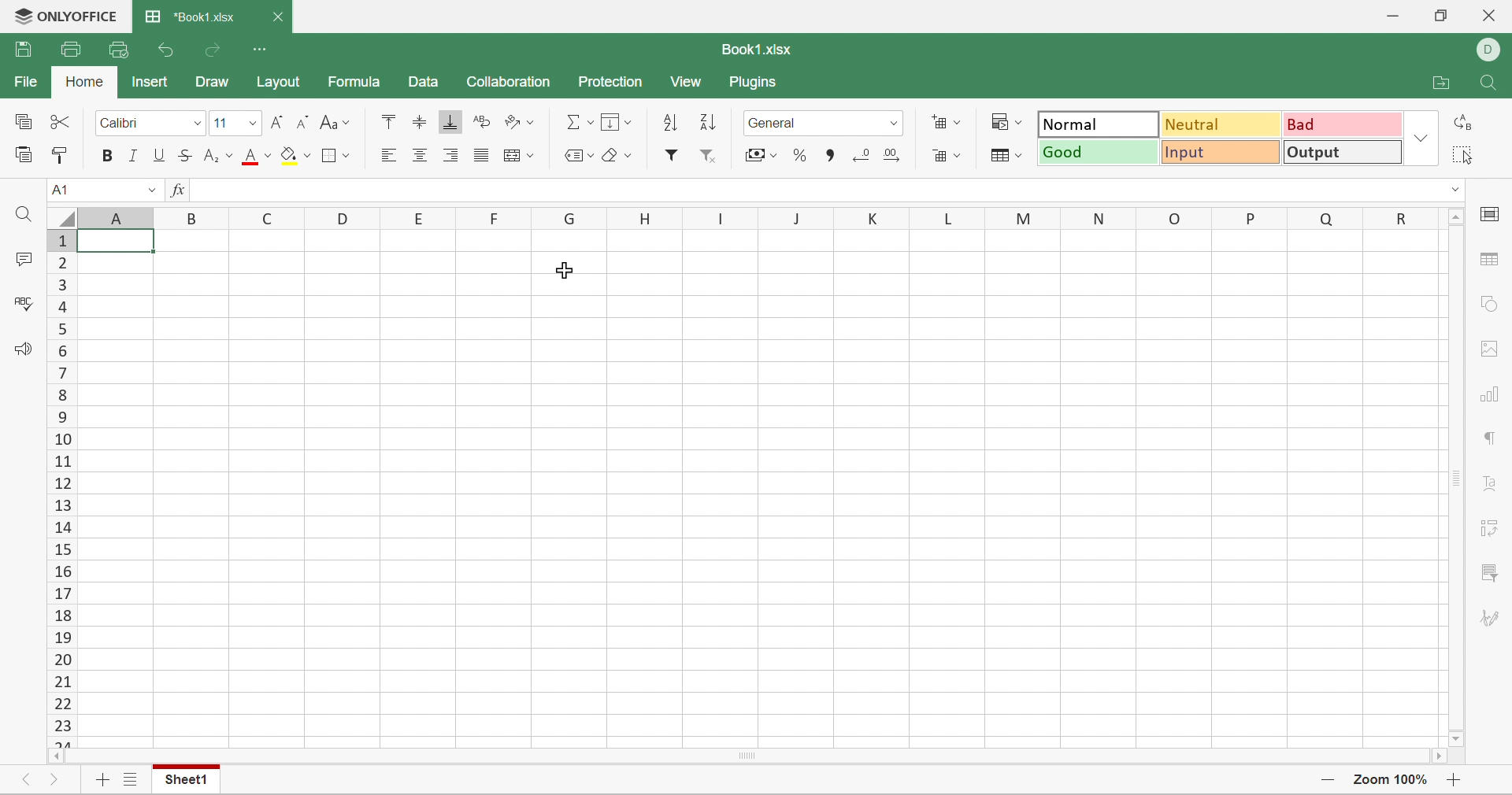 The height and width of the screenshot is (795, 1512). What do you see at coordinates (1099, 124) in the screenshot?
I see `Normal` at bounding box center [1099, 124].